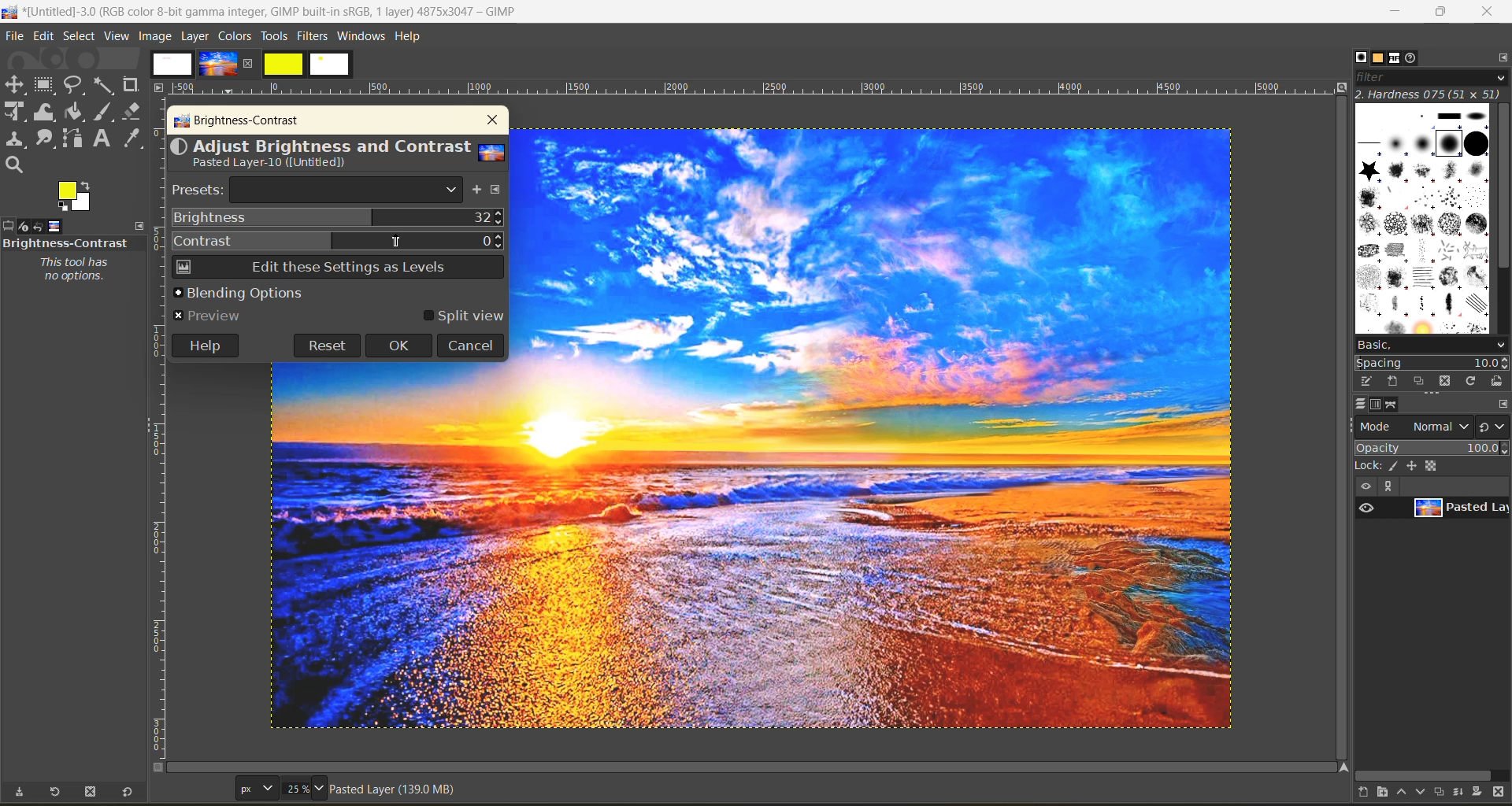 This screenshot has height=806, width=1512. What do you see at coordinates (399, 346) in the screenshot?
I see `ok` at bounding box center [399, 346].